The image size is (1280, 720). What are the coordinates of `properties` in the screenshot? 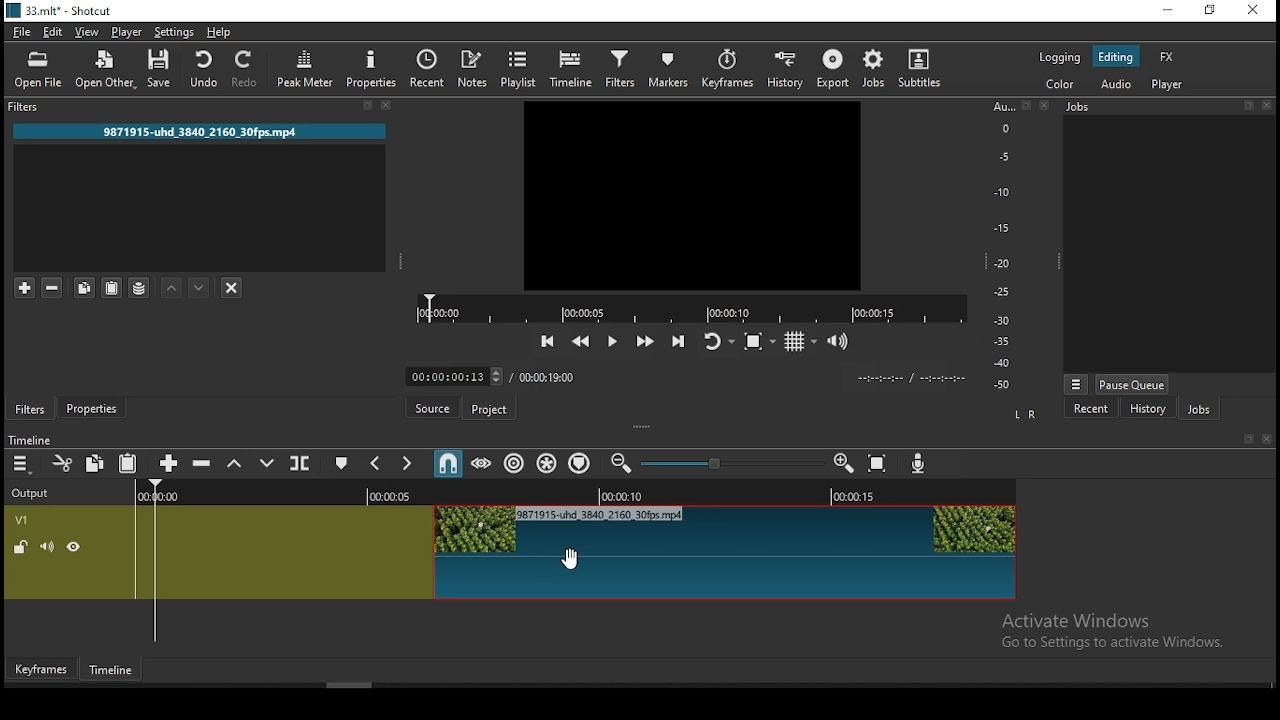 It's located at (96, 408).